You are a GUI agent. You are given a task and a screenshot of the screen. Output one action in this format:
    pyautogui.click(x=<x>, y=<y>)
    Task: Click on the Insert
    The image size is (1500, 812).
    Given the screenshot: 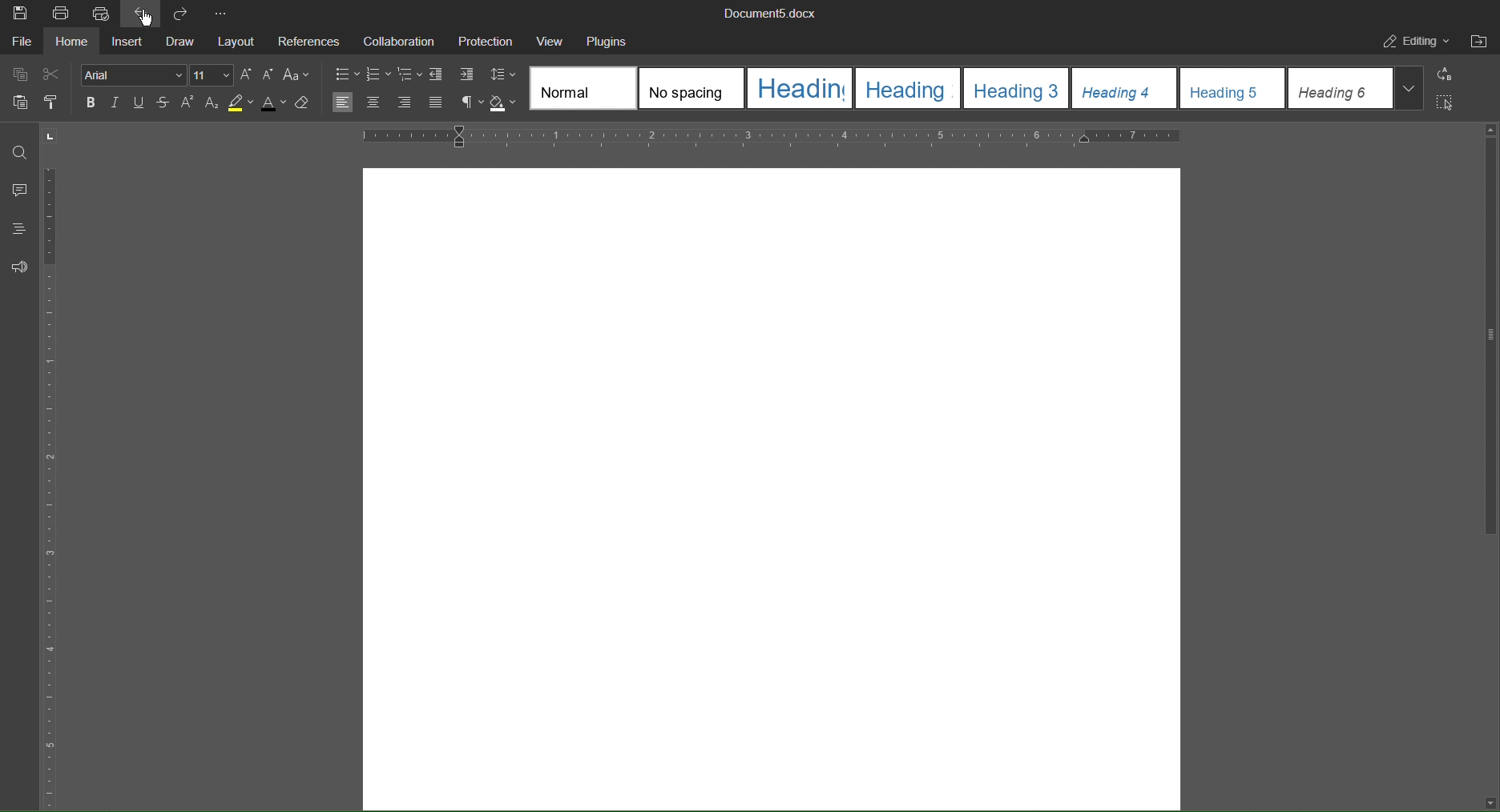 What is the action you would take?
    pyautogui.click(x=128, y=42)
    